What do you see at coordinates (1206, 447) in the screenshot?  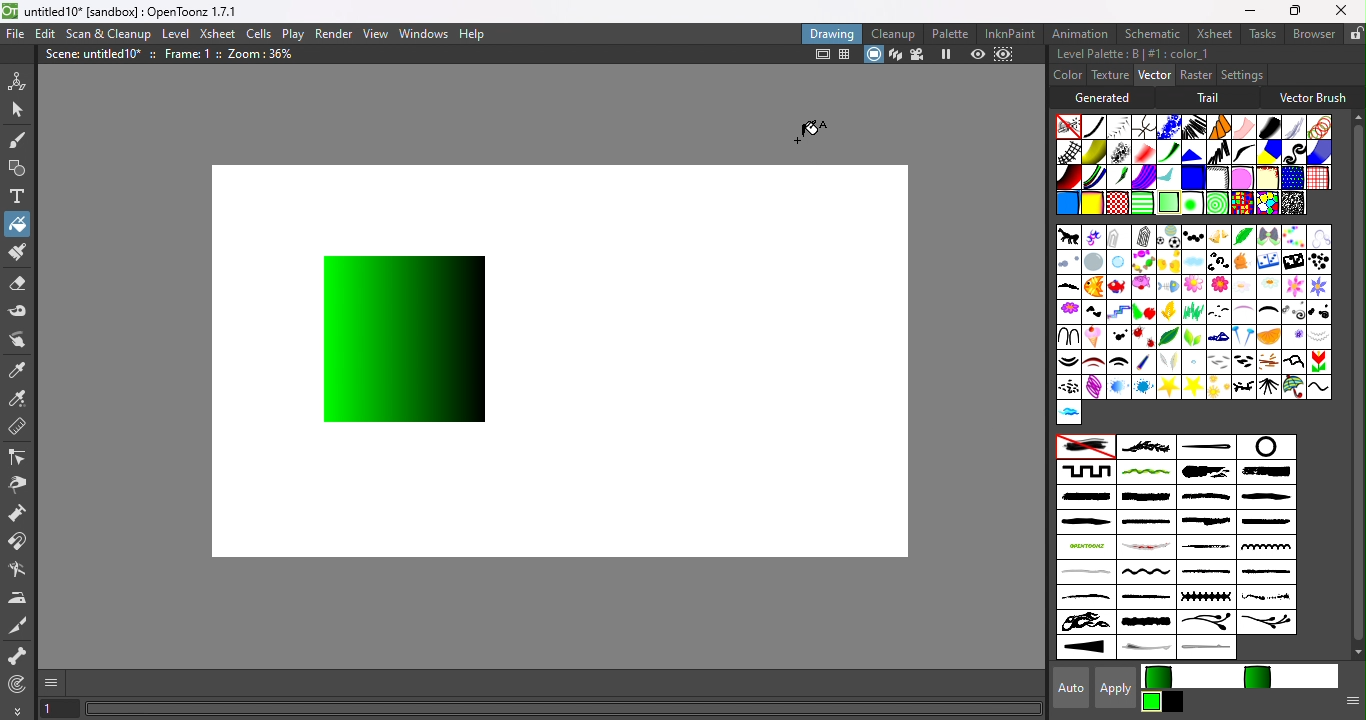 I see `Buttonhole` at bounding box center [1206, 447].